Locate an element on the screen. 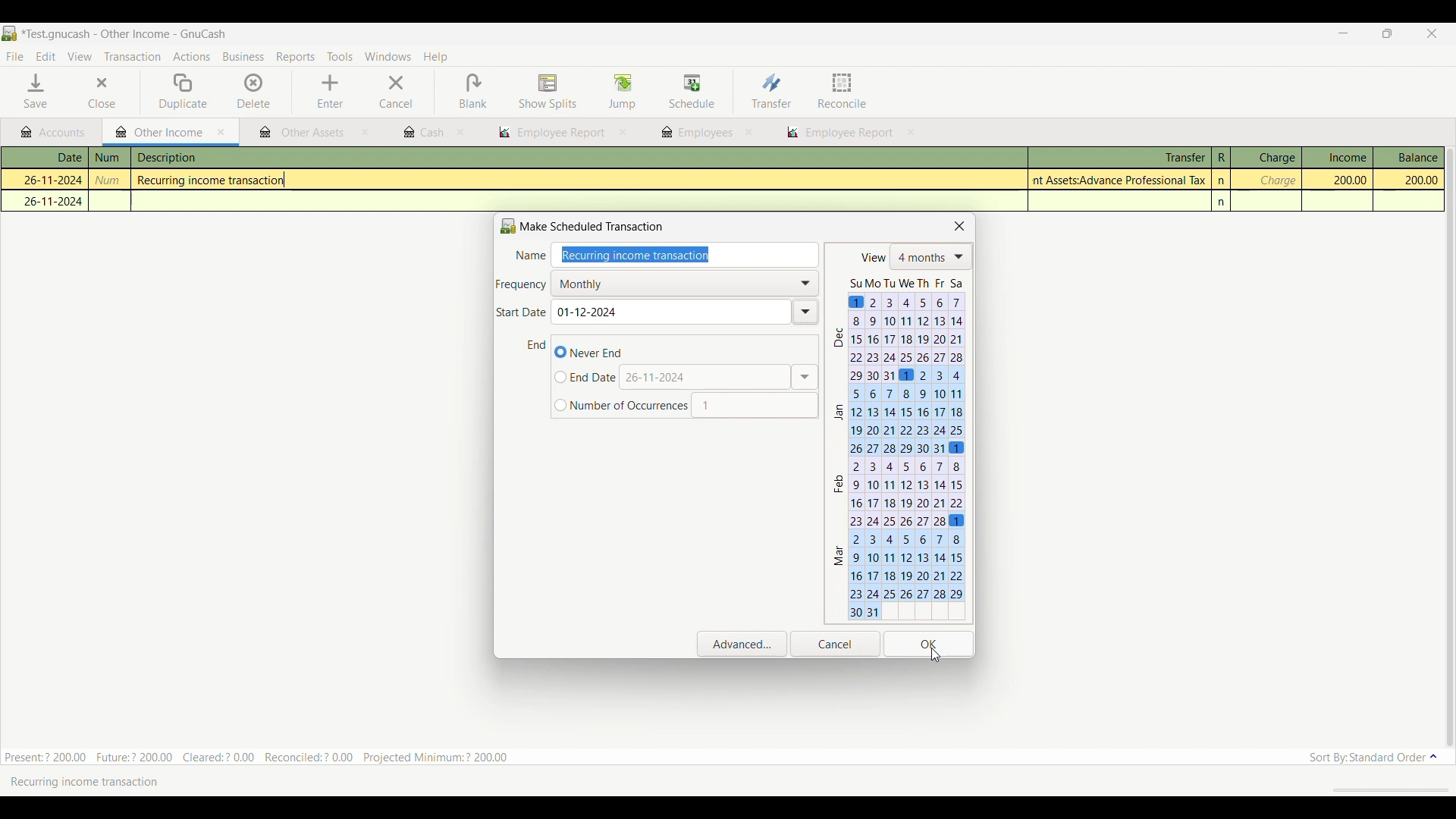  n is located at coordinates (1223, 202).